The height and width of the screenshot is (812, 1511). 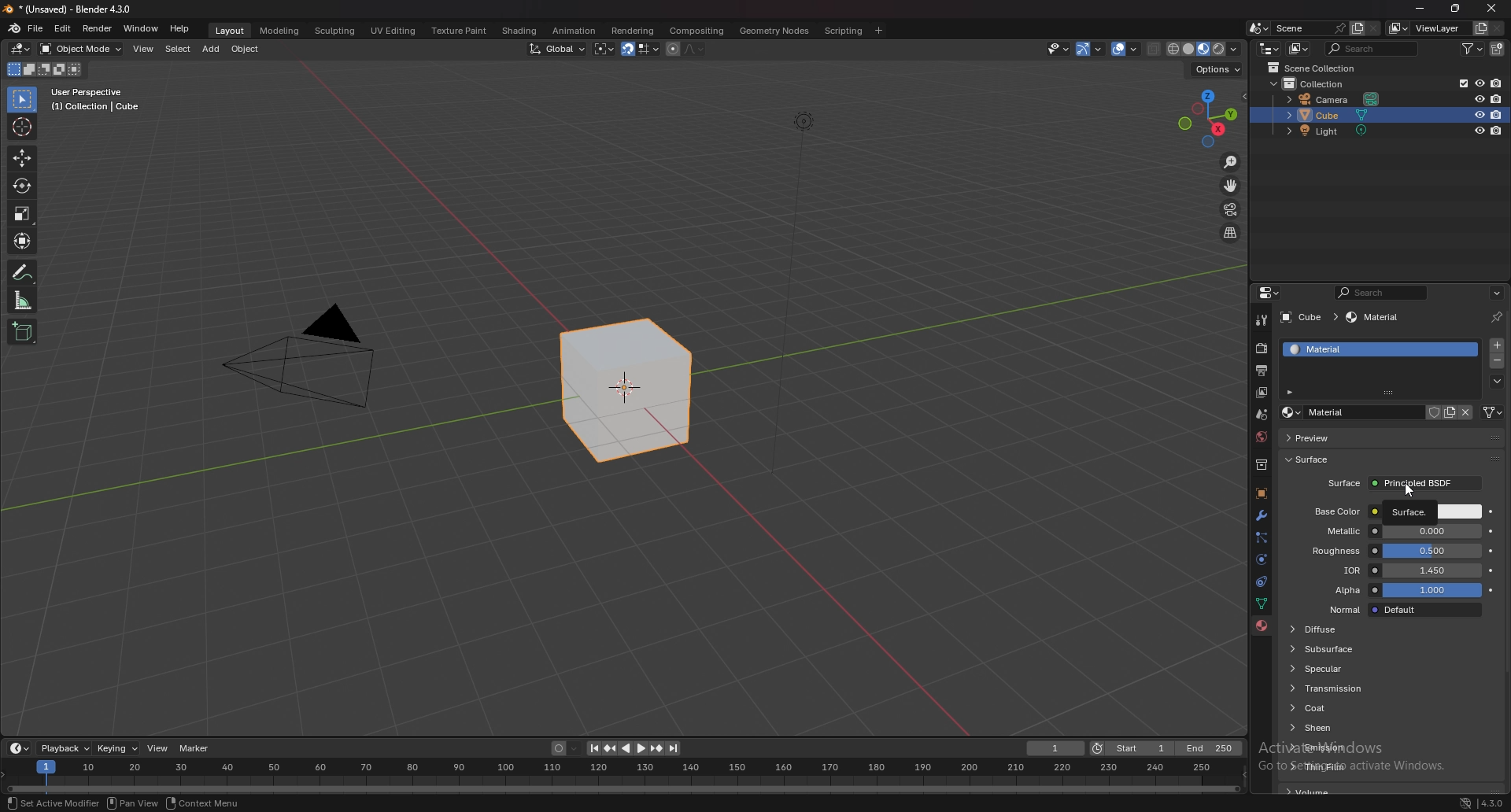 What do you see at coordinates (1498, 363) in the screenshot?
I see `remove material` at bounding box center [1498, 363].